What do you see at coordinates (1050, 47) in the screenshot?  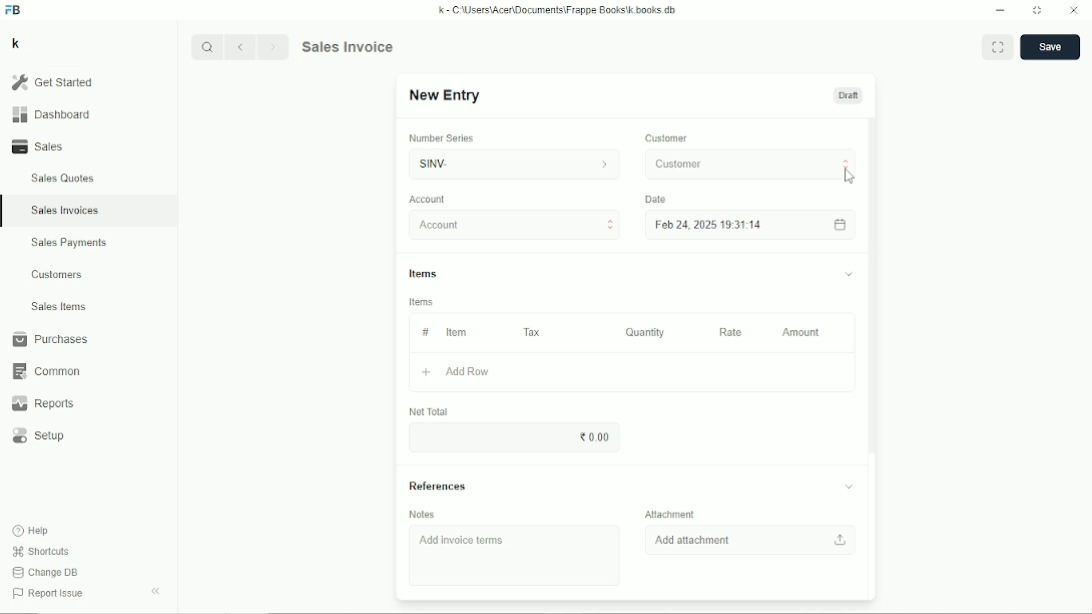 I see `Save` at bounding box center [1050, 47].